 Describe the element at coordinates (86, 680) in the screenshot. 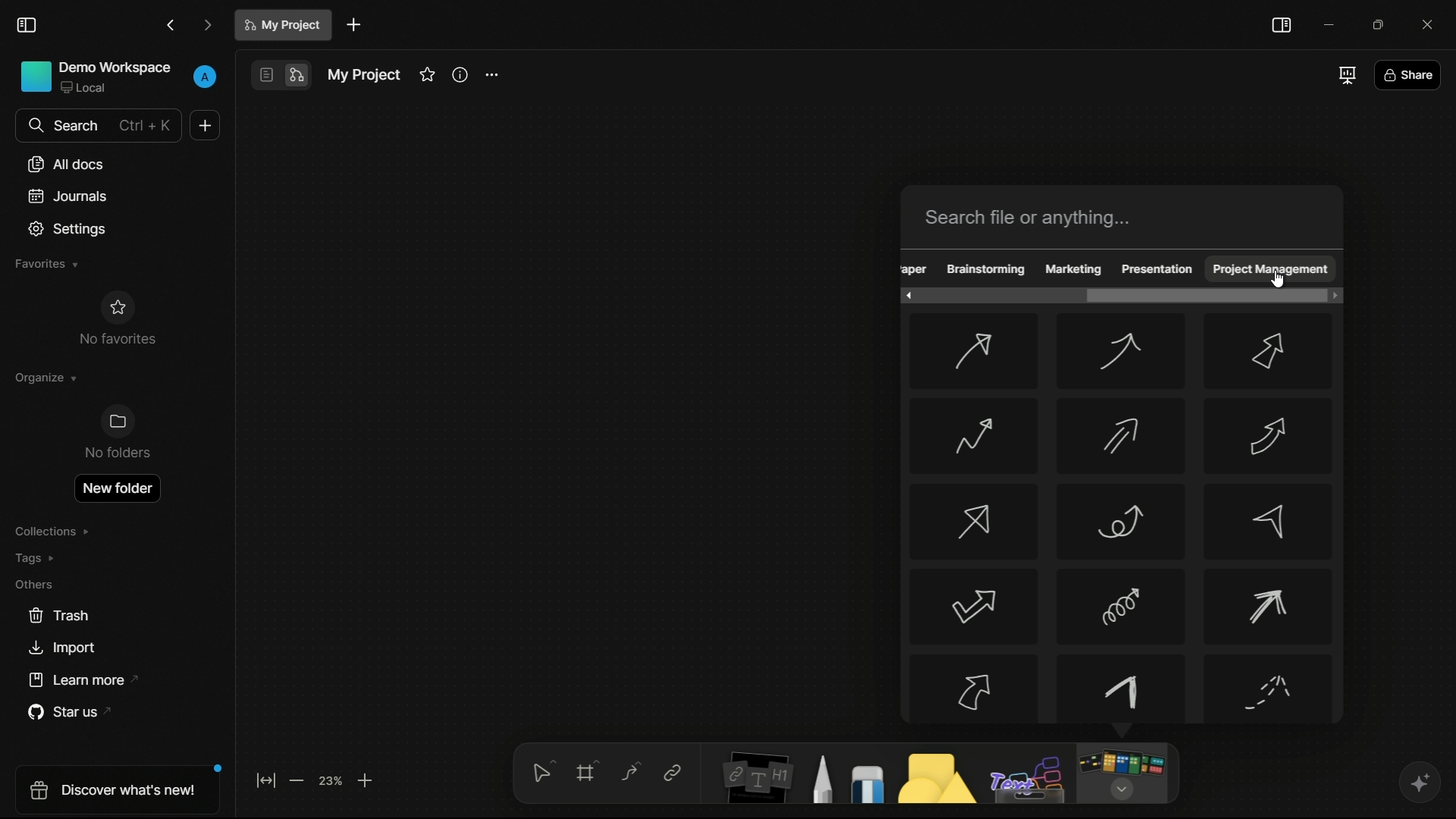

I see `learn more` at that location.